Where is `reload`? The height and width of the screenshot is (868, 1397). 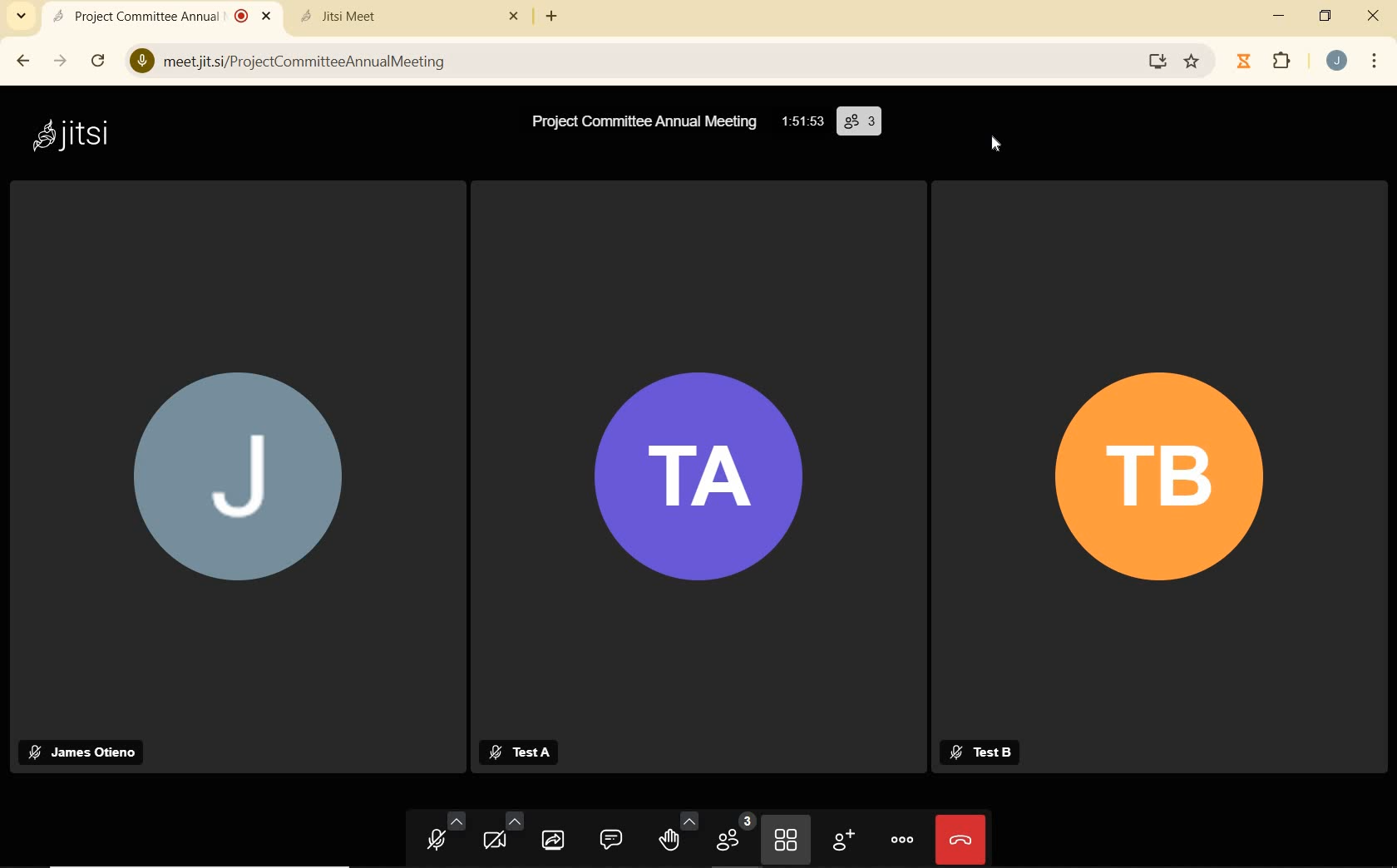
reload is located at coordinates (100, 60).